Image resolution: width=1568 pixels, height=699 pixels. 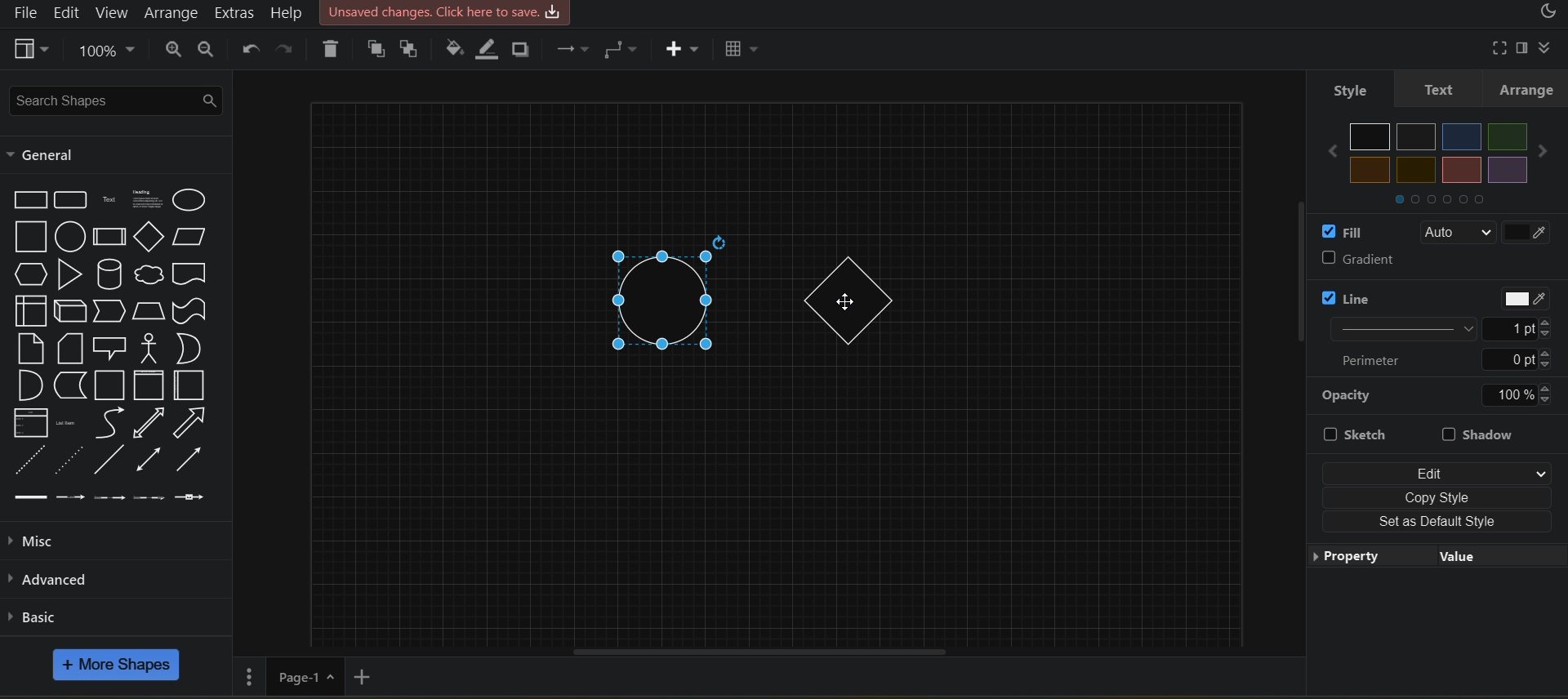 I want to click on Connector with symbol, so click(x=194, y=498).